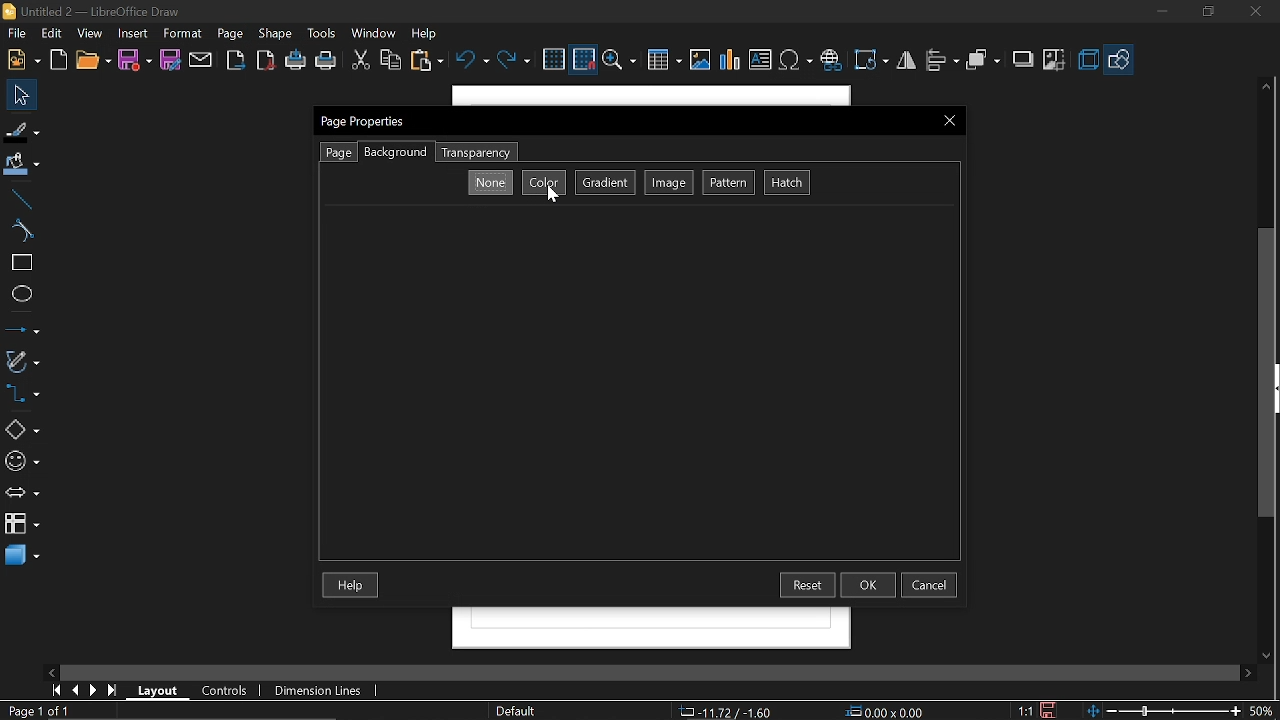 The width and height of the screenshot is (1280, 720). Describe the element at coordinates (94, 690) in the screenshot. I see `Next page` at that location.